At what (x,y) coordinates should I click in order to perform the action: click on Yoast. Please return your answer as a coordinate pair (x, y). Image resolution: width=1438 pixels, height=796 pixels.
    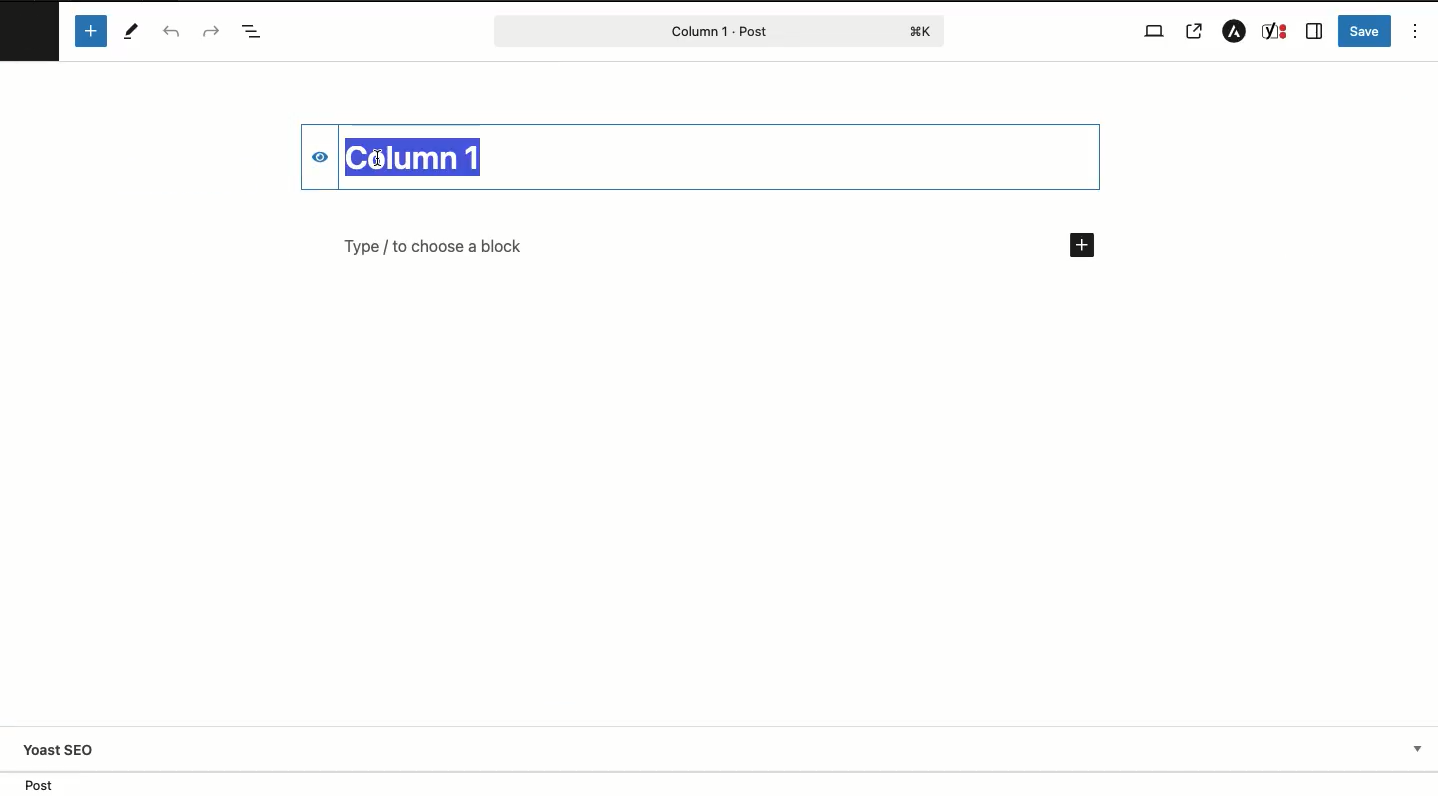
    Looking at the image, I should click on (1276, 32).